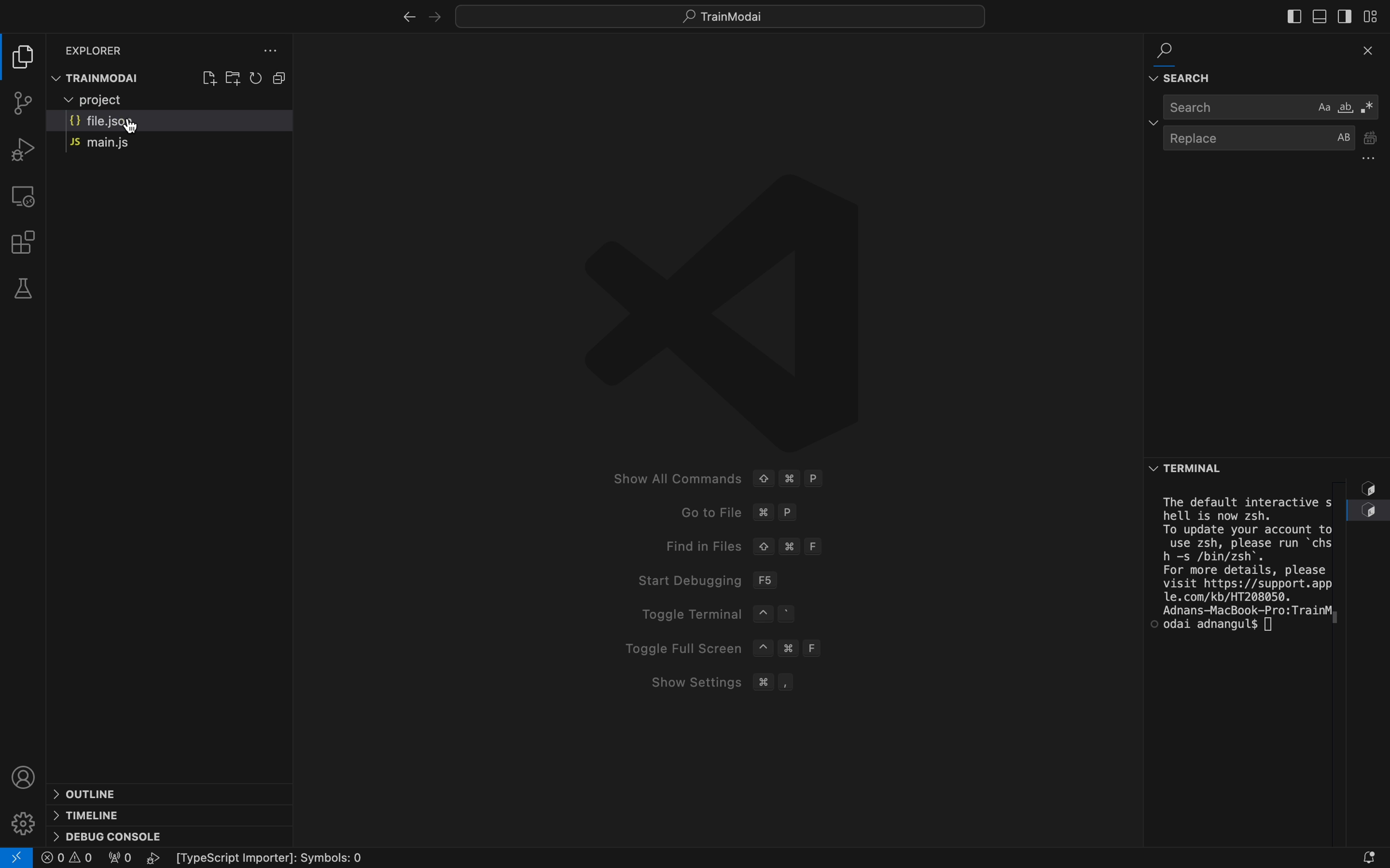 Image resolution: width=1390 pixels, height=868 pixels. I want to click on git, so click(18, 105).